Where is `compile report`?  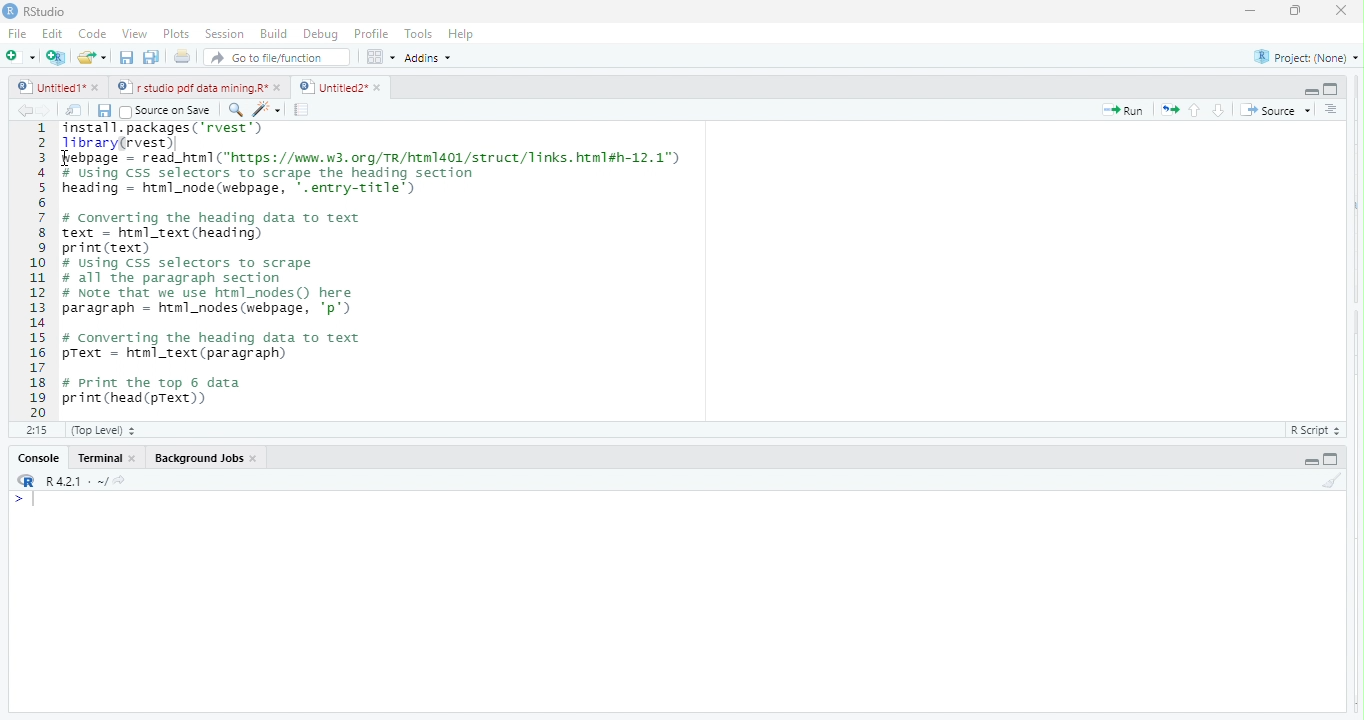
compile report is located at coordinates (303, 111).